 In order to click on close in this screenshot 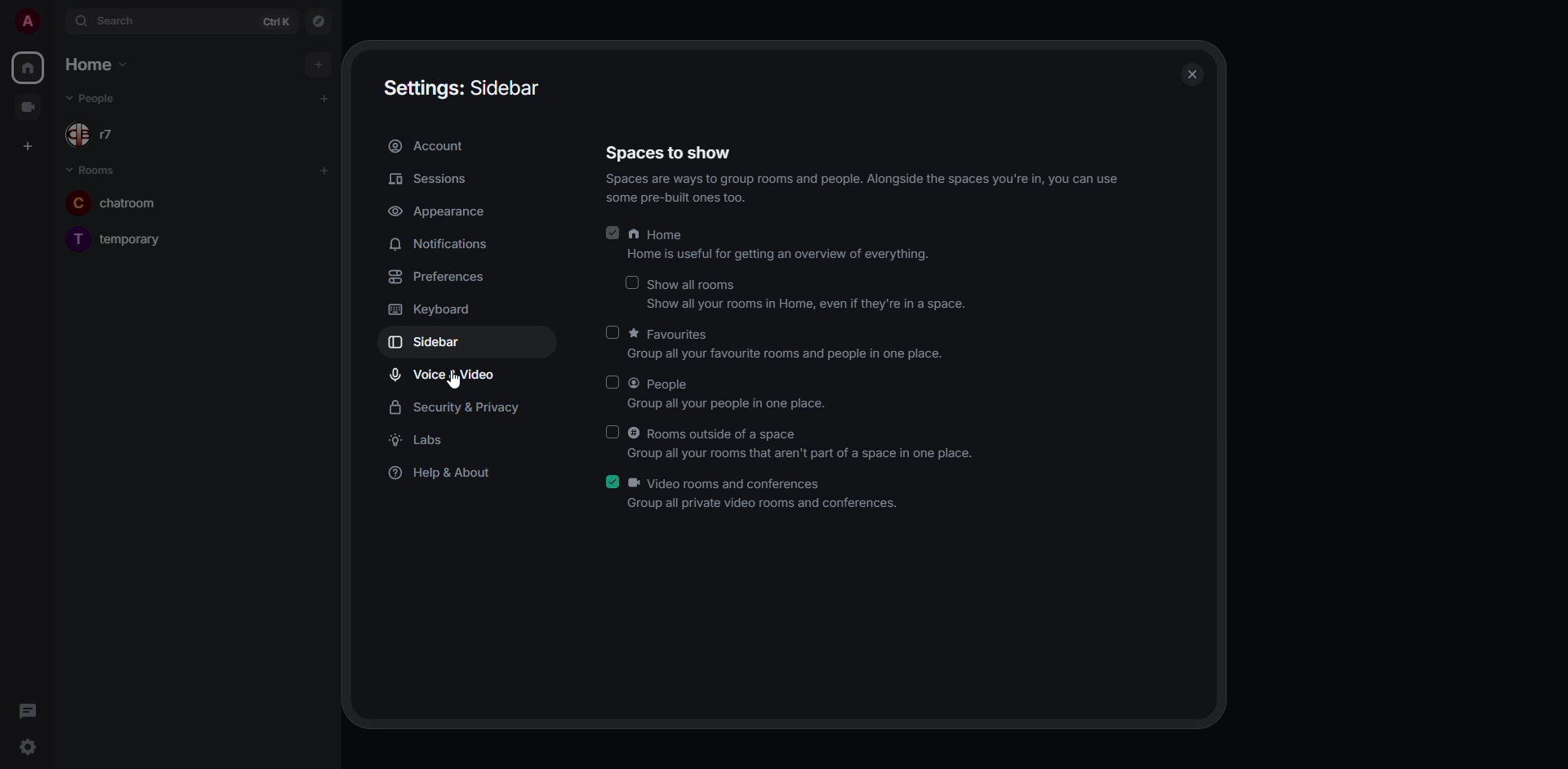, I will do `click(1192, 73)`.